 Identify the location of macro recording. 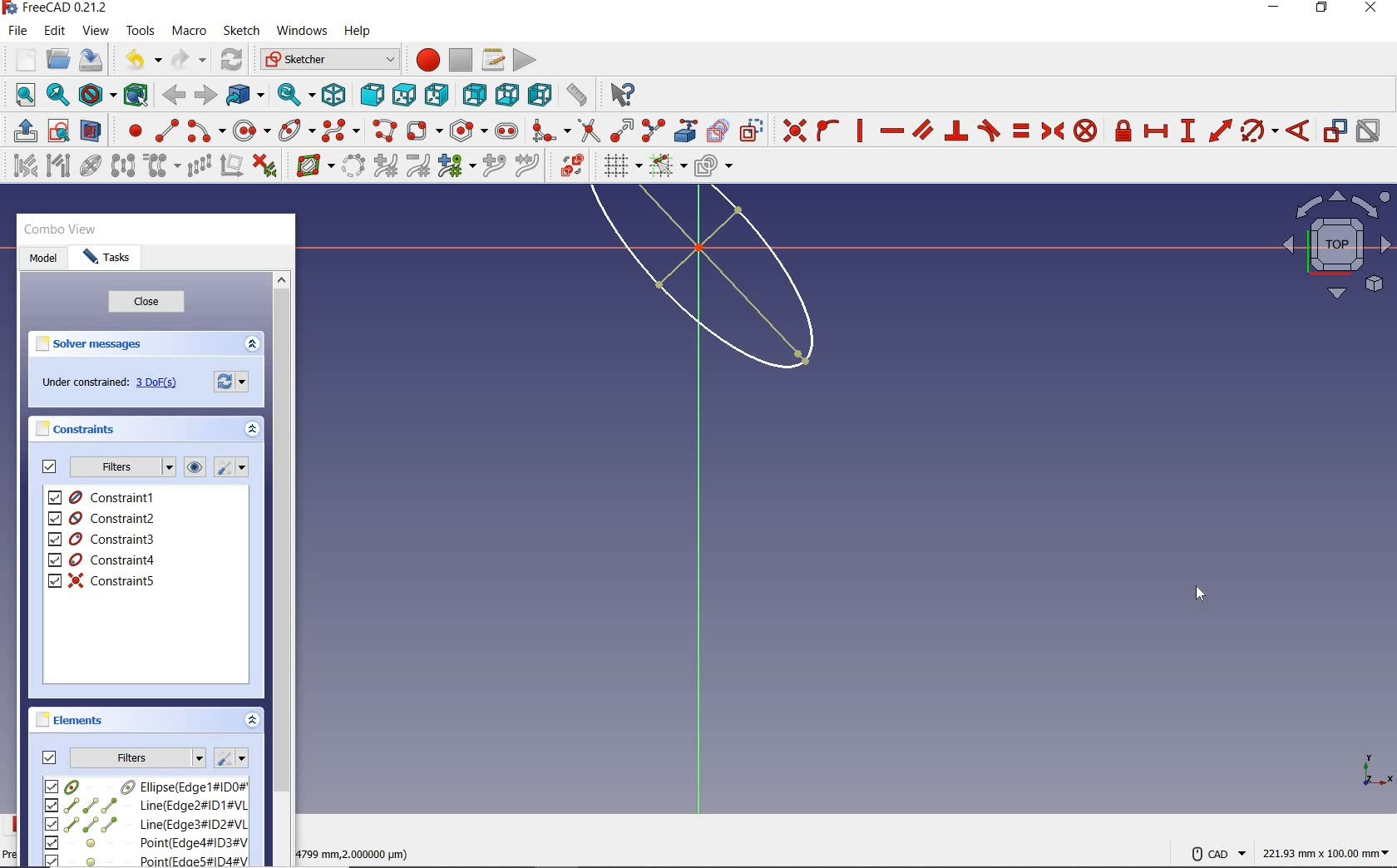
(422, 59).